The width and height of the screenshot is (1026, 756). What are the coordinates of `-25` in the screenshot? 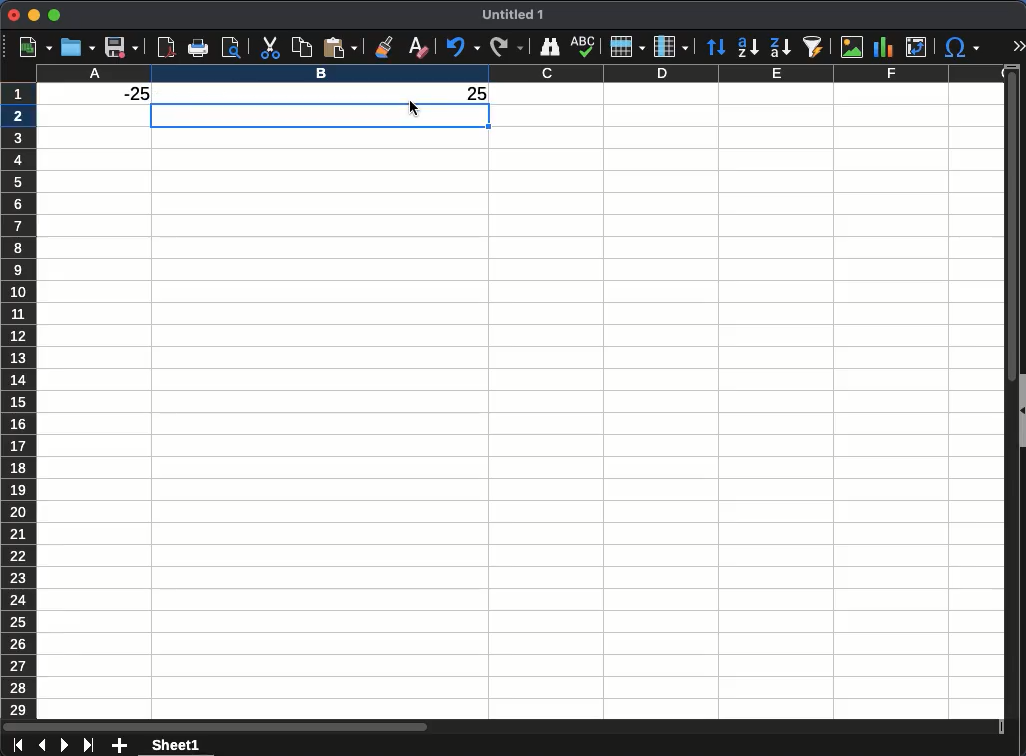 It's located at (127, 94).